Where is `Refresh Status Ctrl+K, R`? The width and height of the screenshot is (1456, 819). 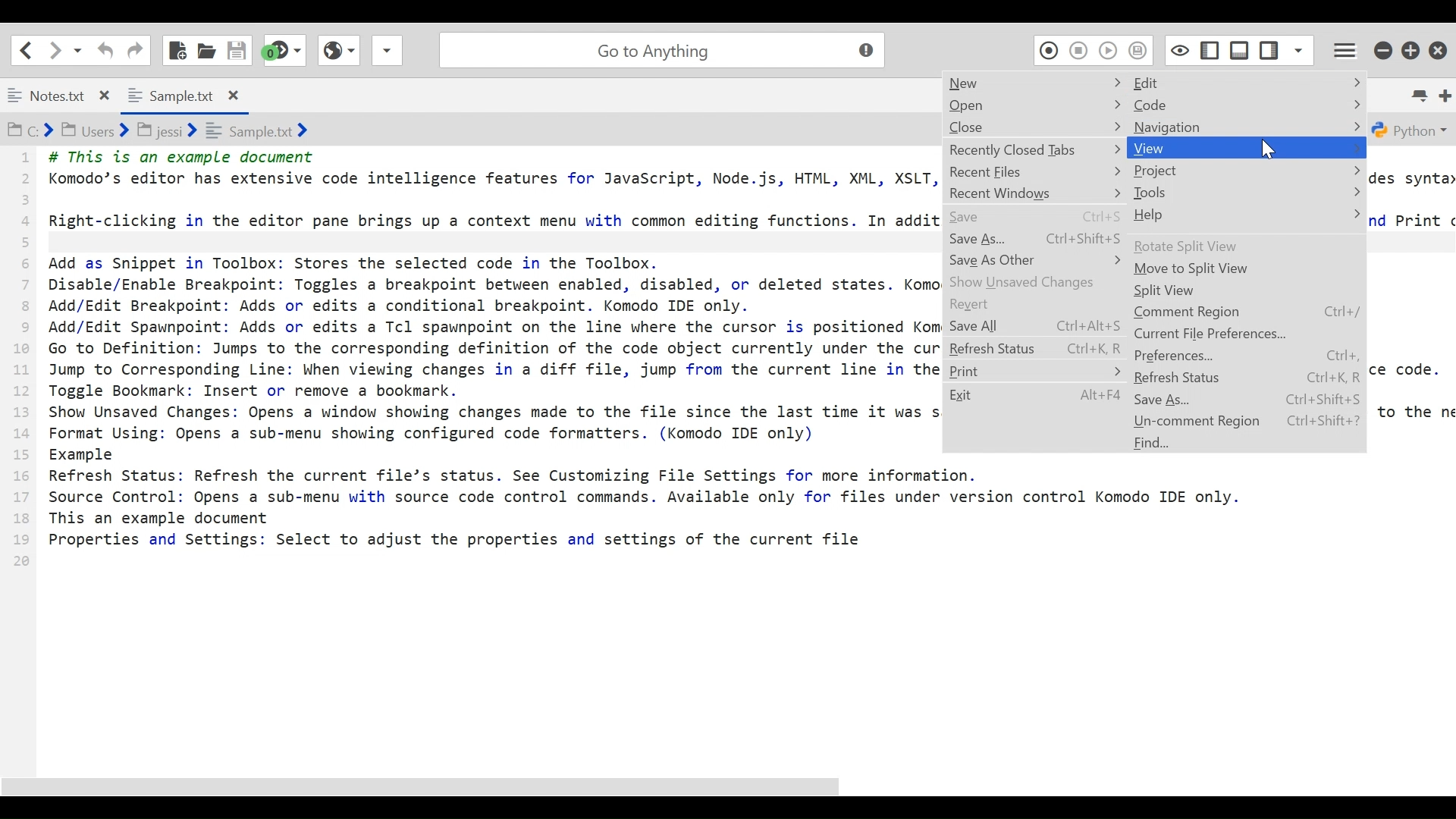 Refresh Status Ctrl+K, R is located at coordinates (1246, 378).